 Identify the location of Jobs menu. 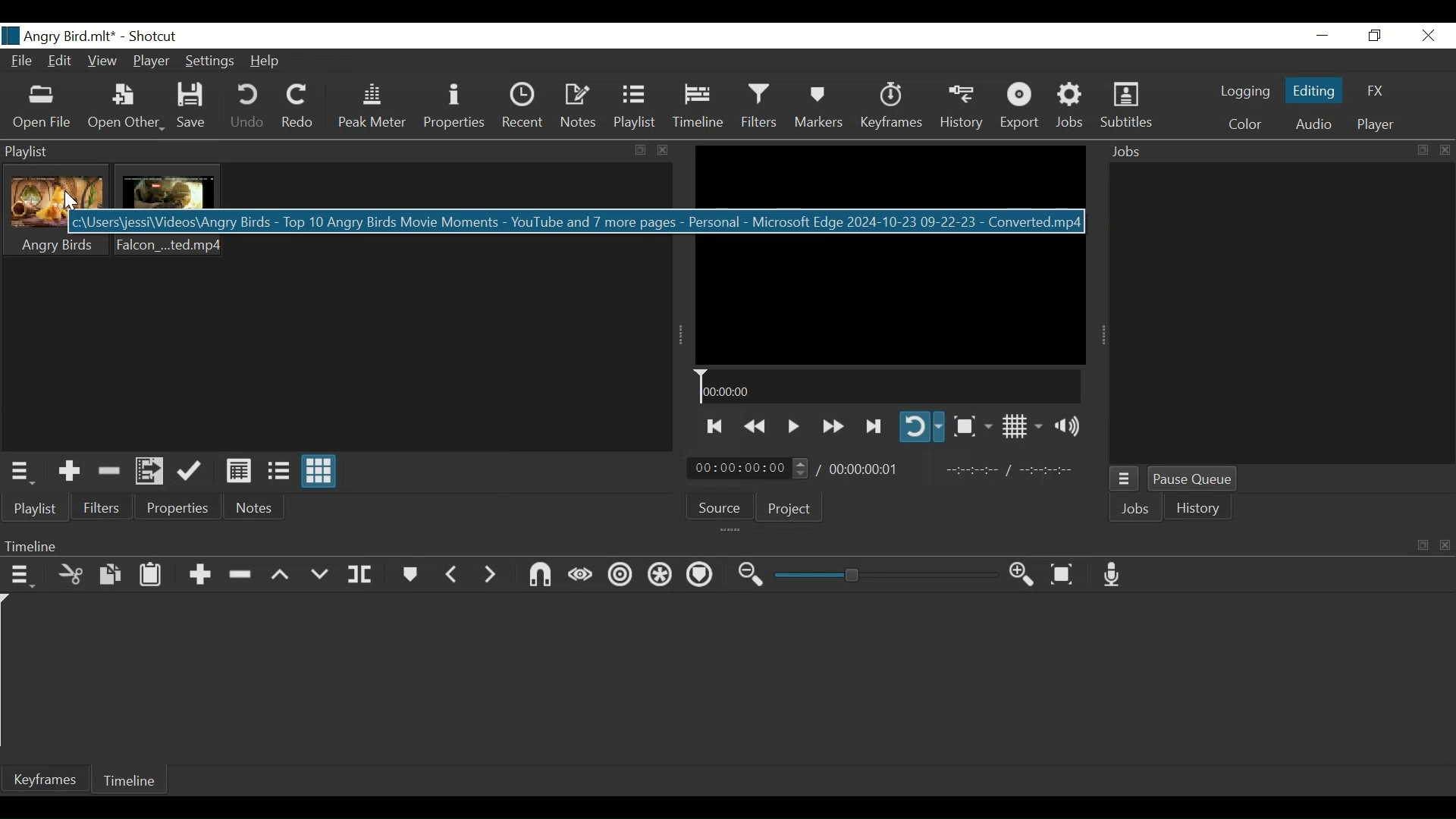
(1126, 478).